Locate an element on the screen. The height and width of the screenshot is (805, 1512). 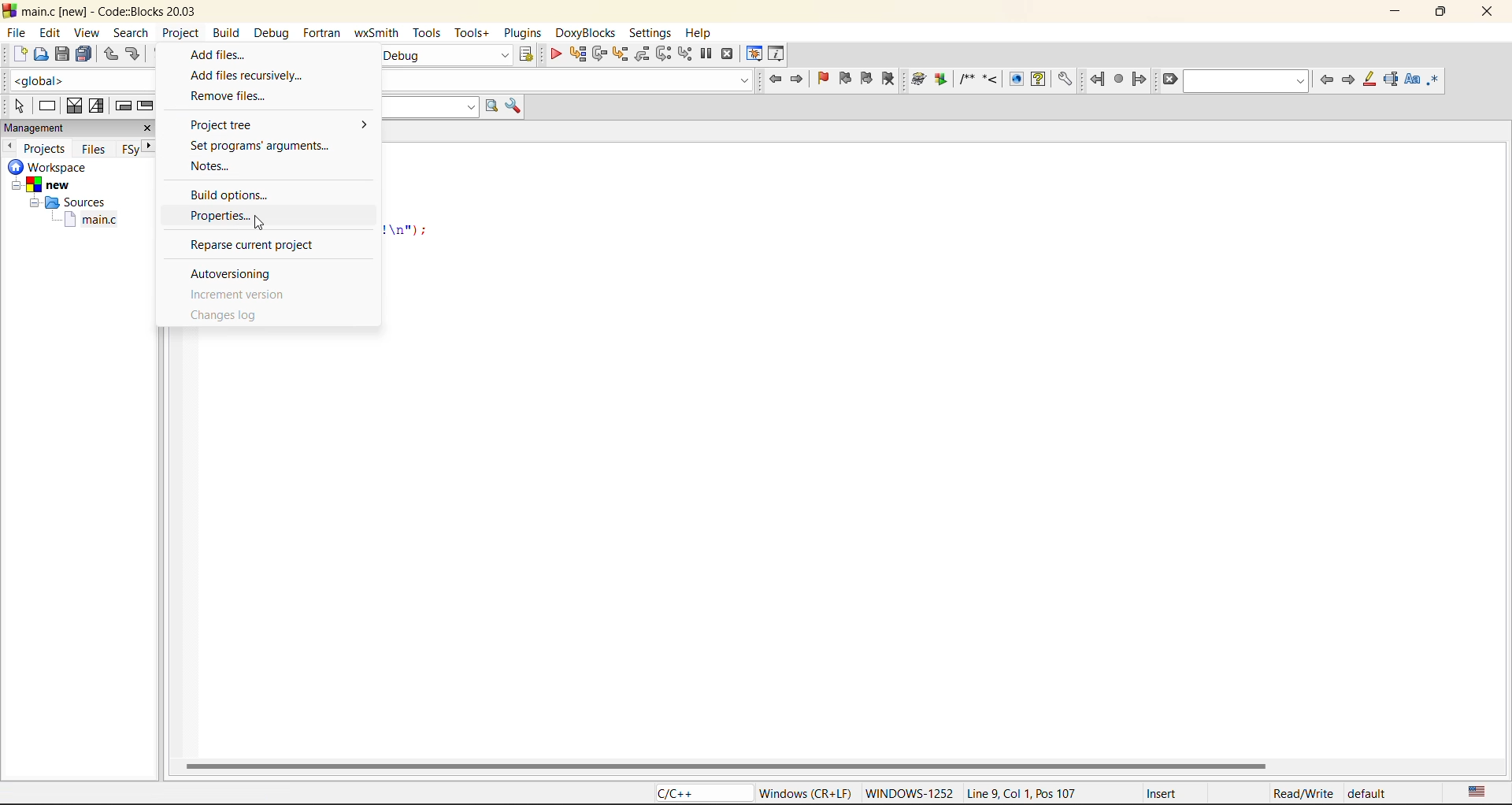
C/C++ is located at coordinates (695, 793).